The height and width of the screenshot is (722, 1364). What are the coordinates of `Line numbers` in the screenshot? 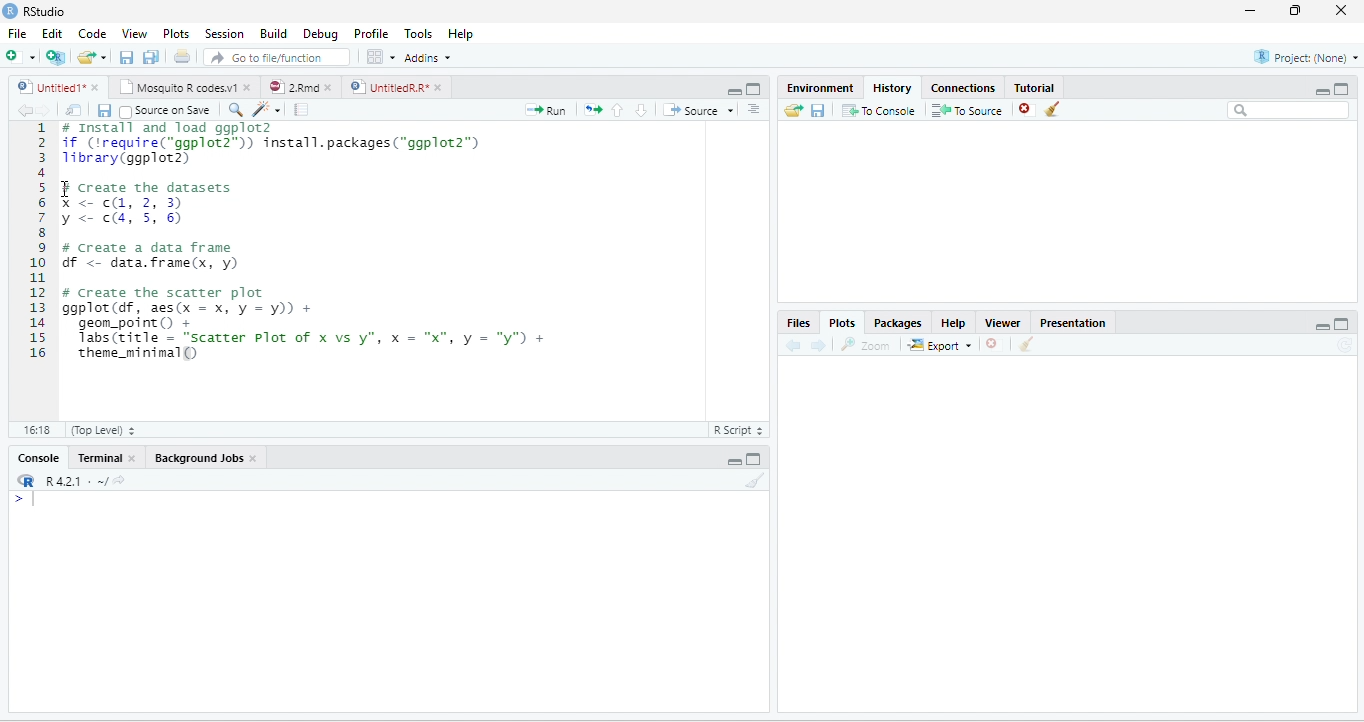 It's located at (36, 243).